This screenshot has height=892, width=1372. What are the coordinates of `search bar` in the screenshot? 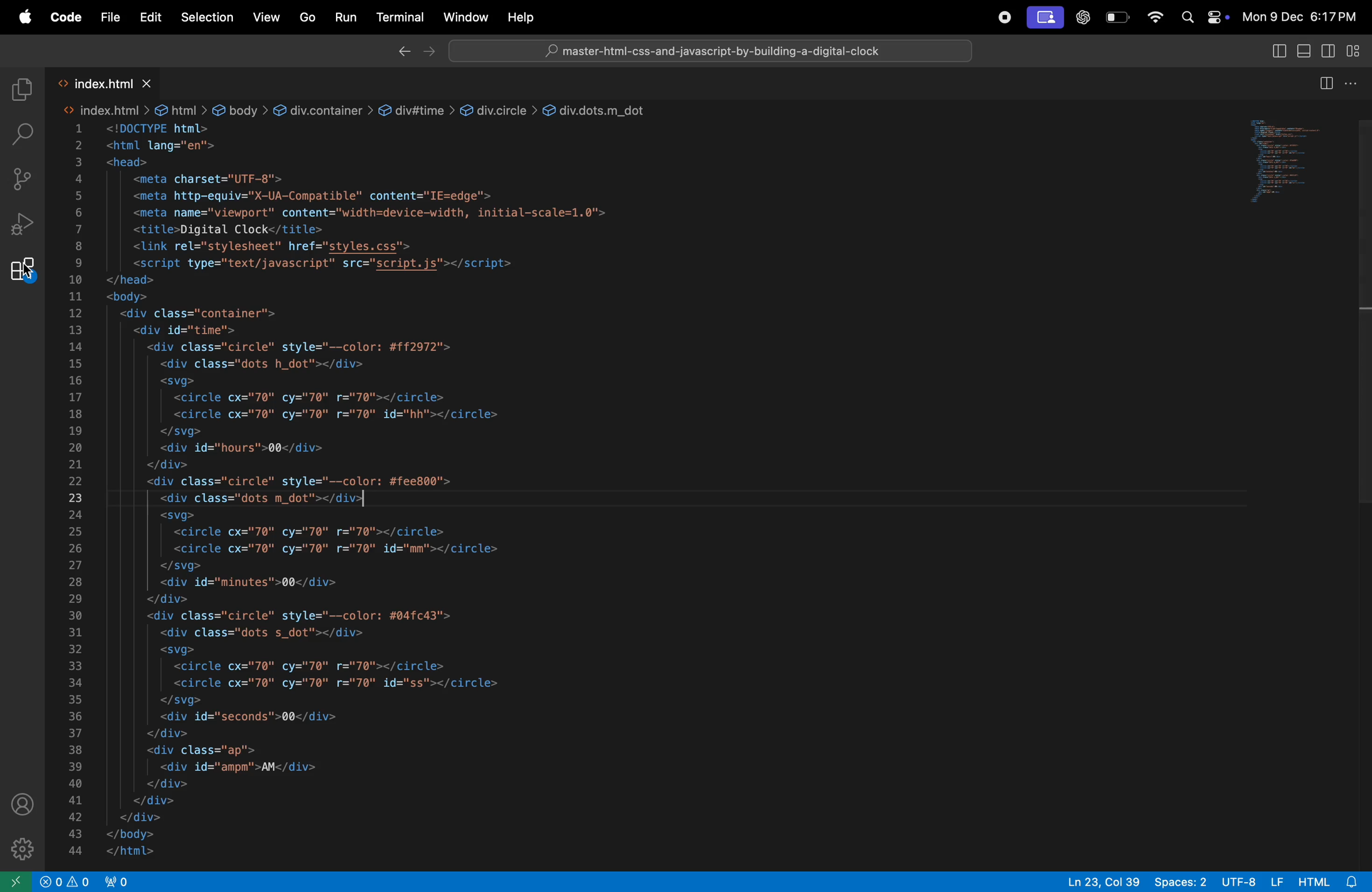 It's located at (710, 50).